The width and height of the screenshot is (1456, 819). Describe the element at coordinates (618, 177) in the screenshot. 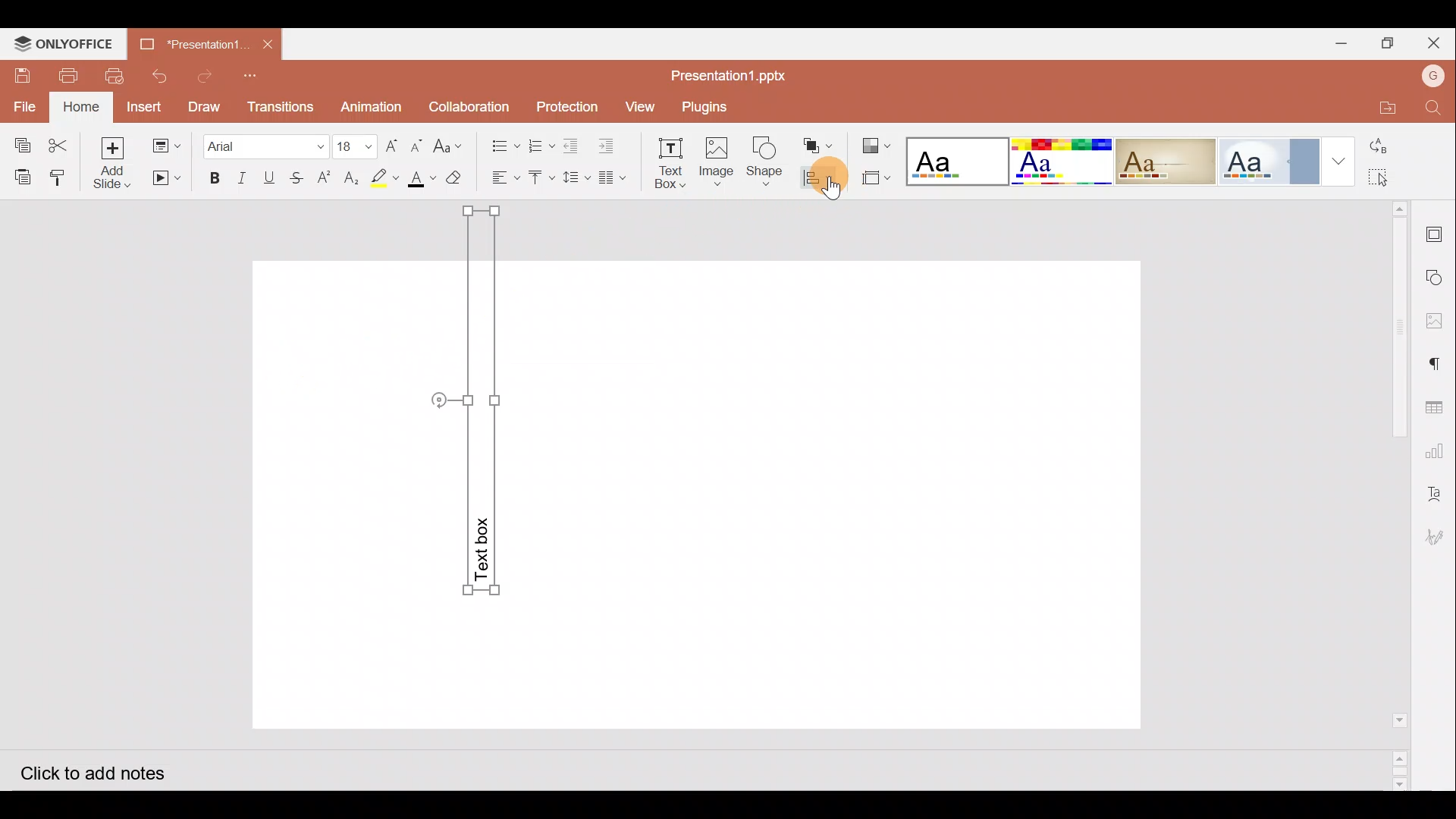

I see `Insert columns` at that location.